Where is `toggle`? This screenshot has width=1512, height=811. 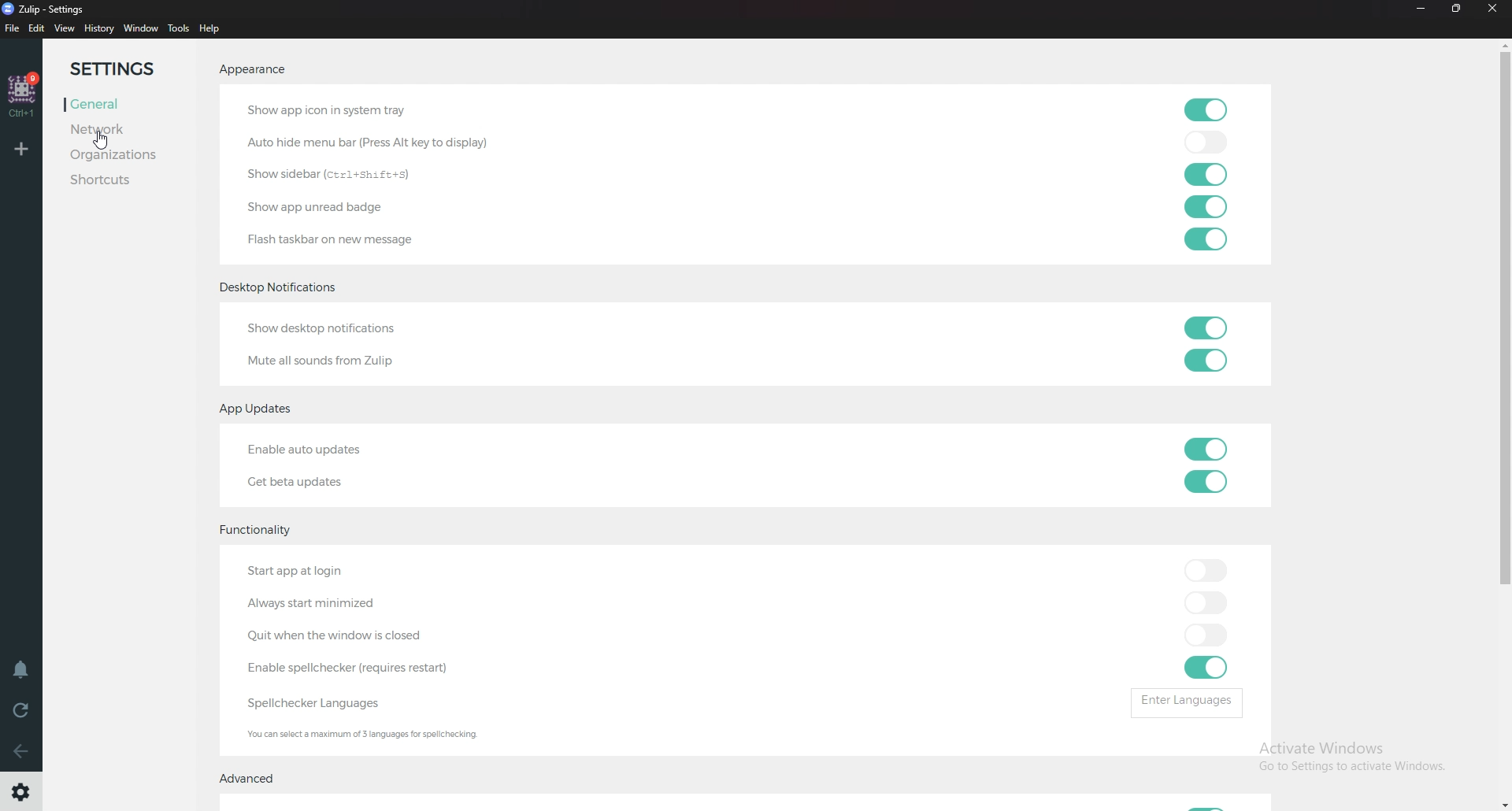
toggle is located at coordinates (1203, 636).